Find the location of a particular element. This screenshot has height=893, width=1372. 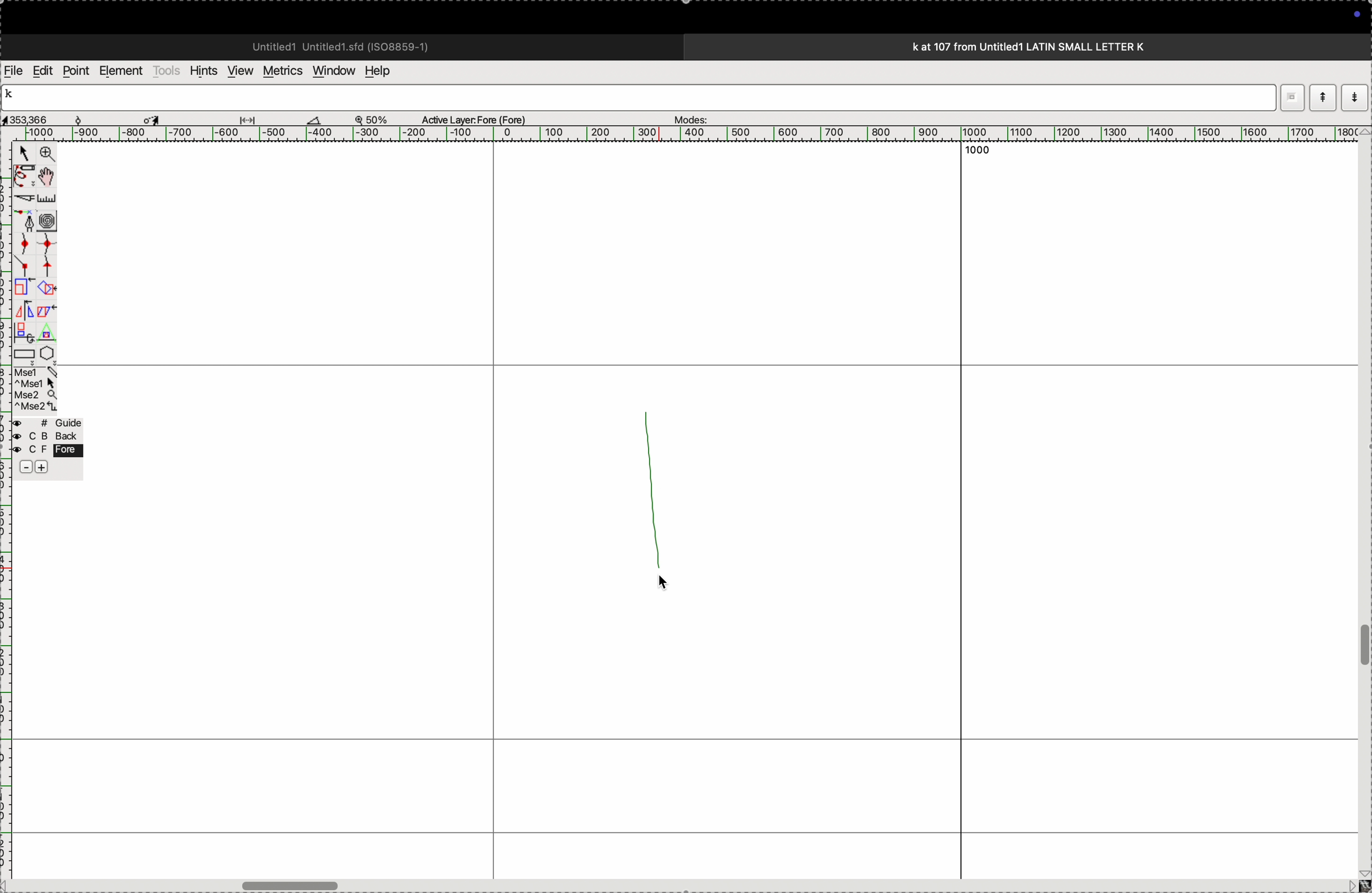

toggle is located at coordinates (50, 176).